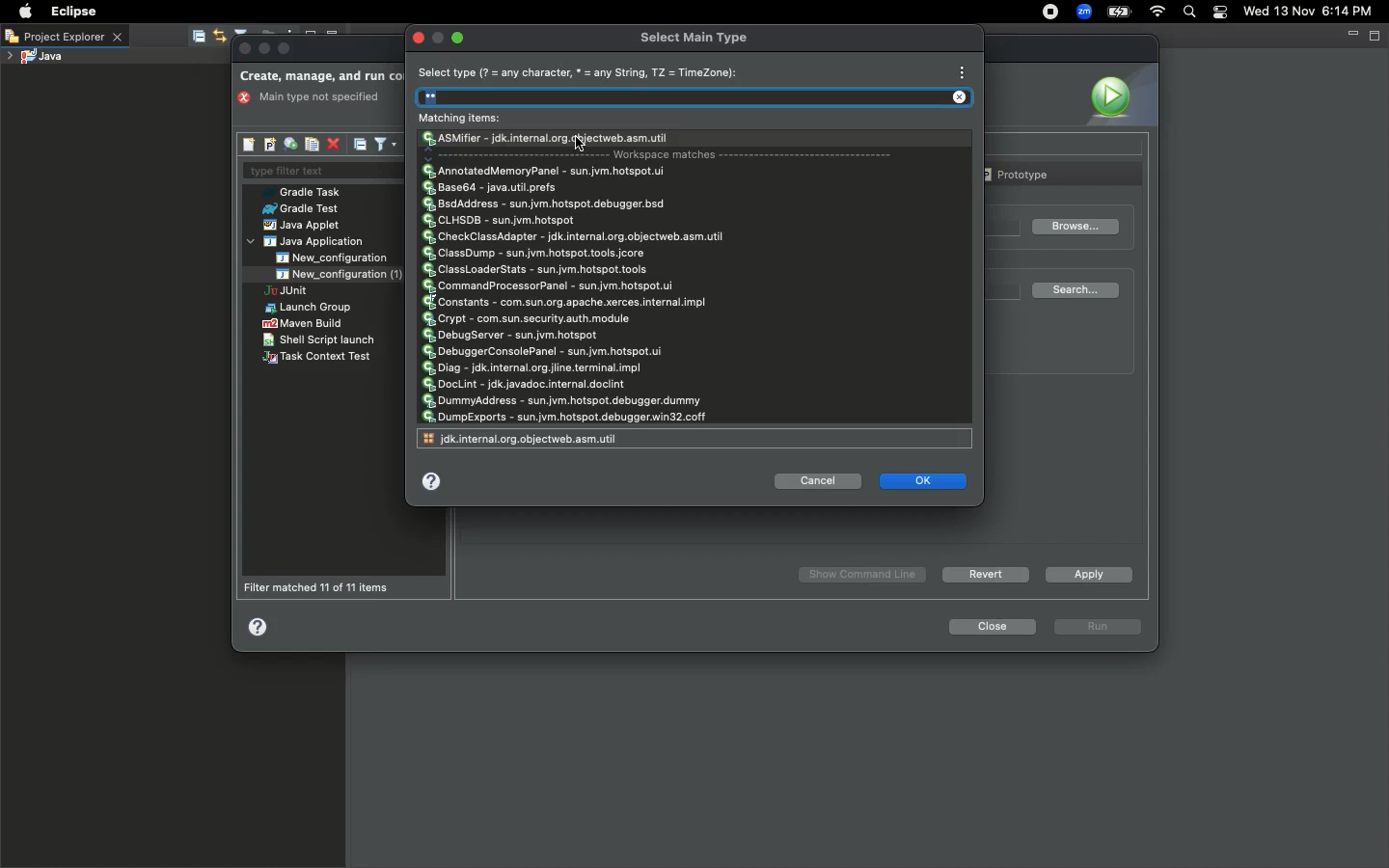  Describe the element at coordinates (525, 438) in the screenshot. I see `jsk.internal.org.objectiveweb.asm.util` at that location.